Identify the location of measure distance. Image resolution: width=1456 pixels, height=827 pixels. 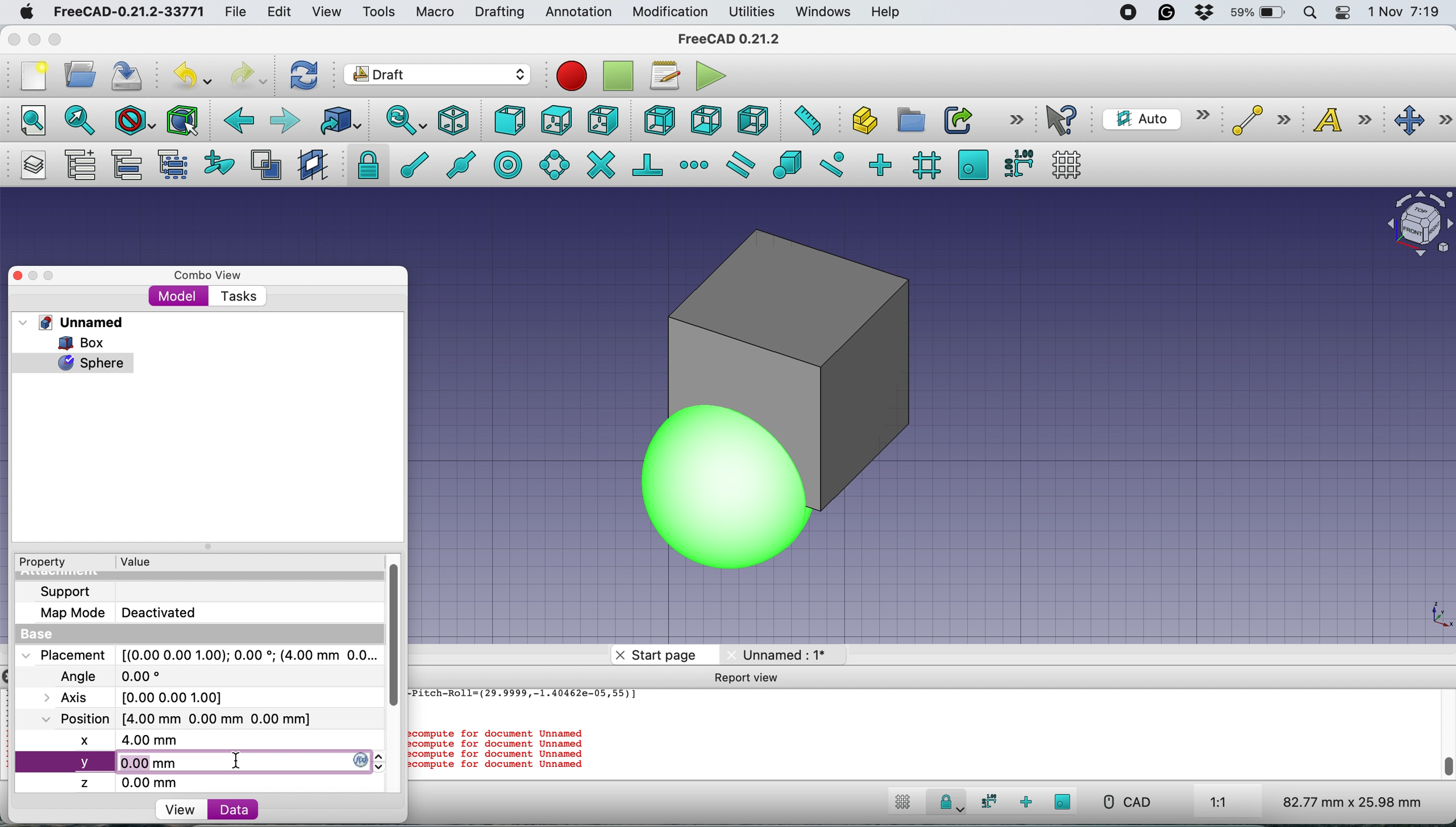
(804, 119).